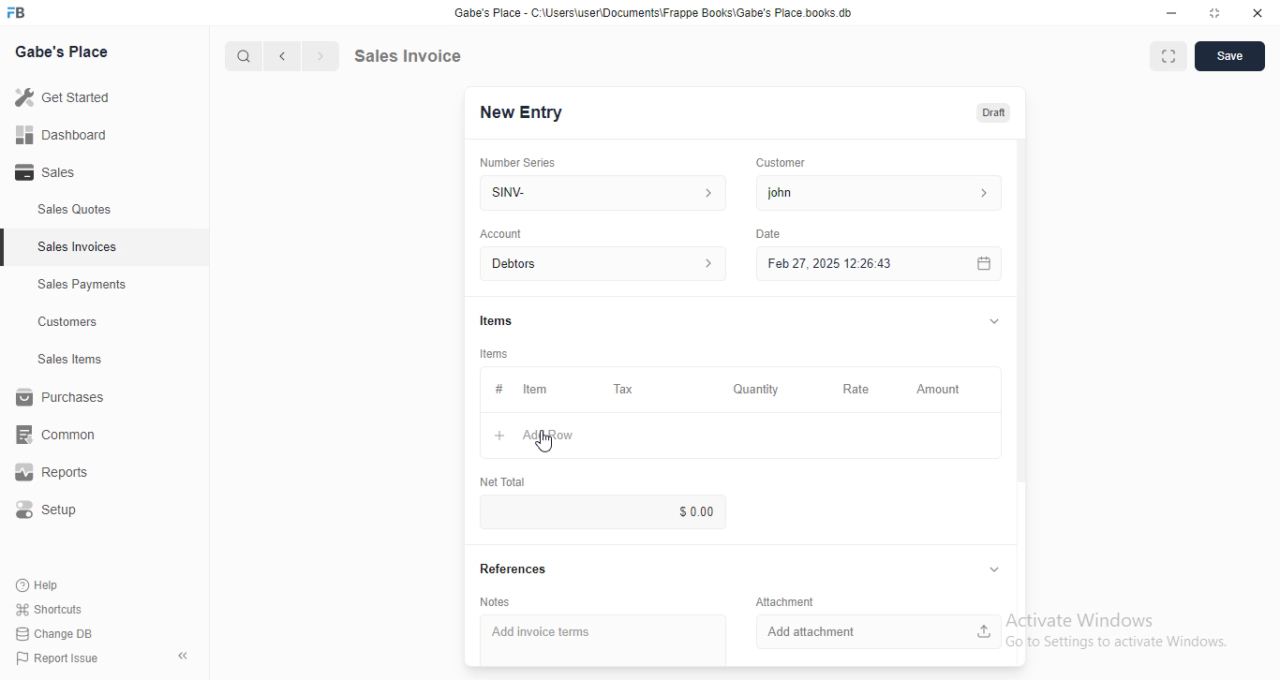  I want to click on Gabe's Place - C'\Users\userDocuments\Frappe Books\Gabe's Place books db, so click(657, 13).